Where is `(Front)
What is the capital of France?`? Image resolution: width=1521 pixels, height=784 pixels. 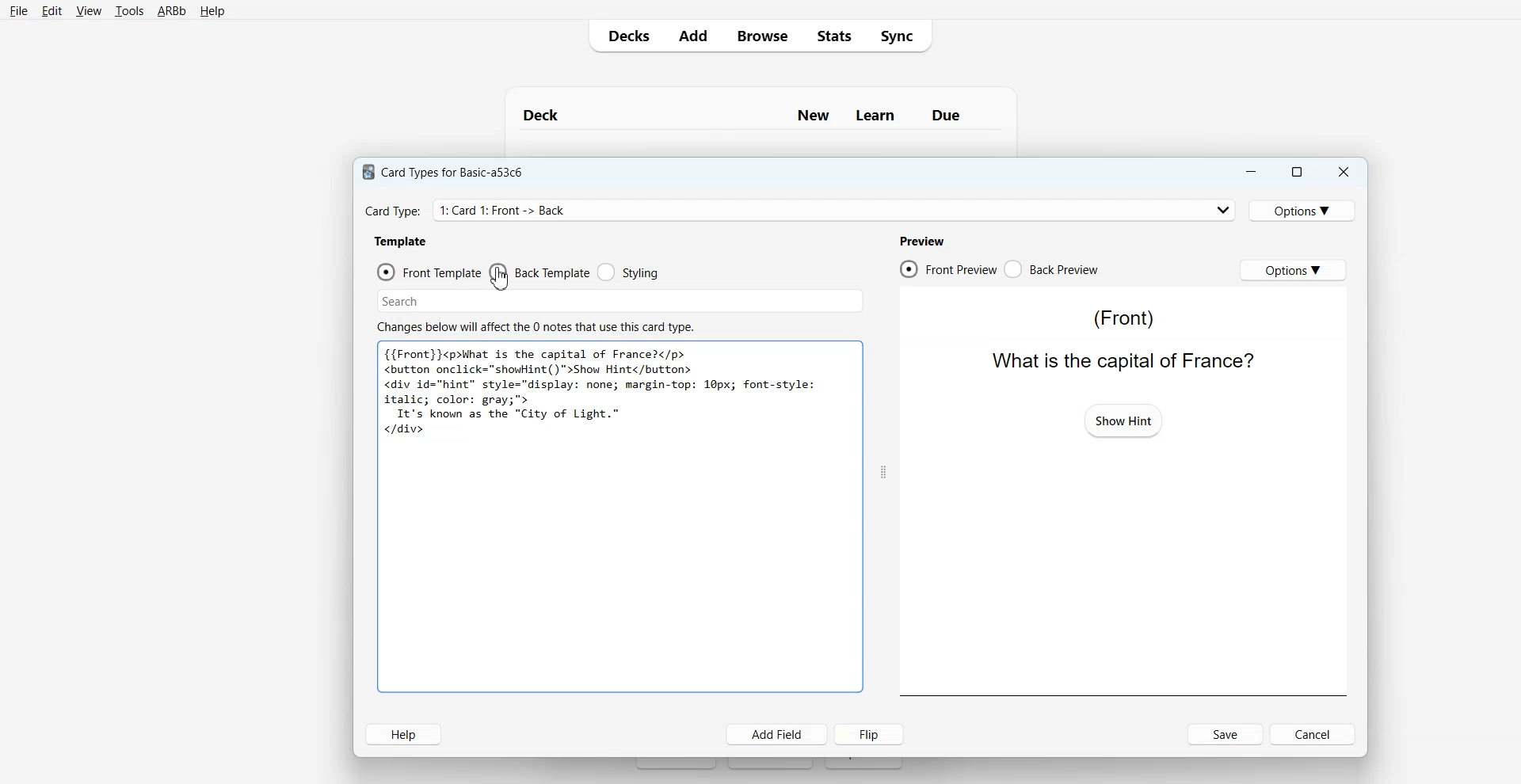
(Front)
What is the capital of France? is located at coordinates (1119, 340).